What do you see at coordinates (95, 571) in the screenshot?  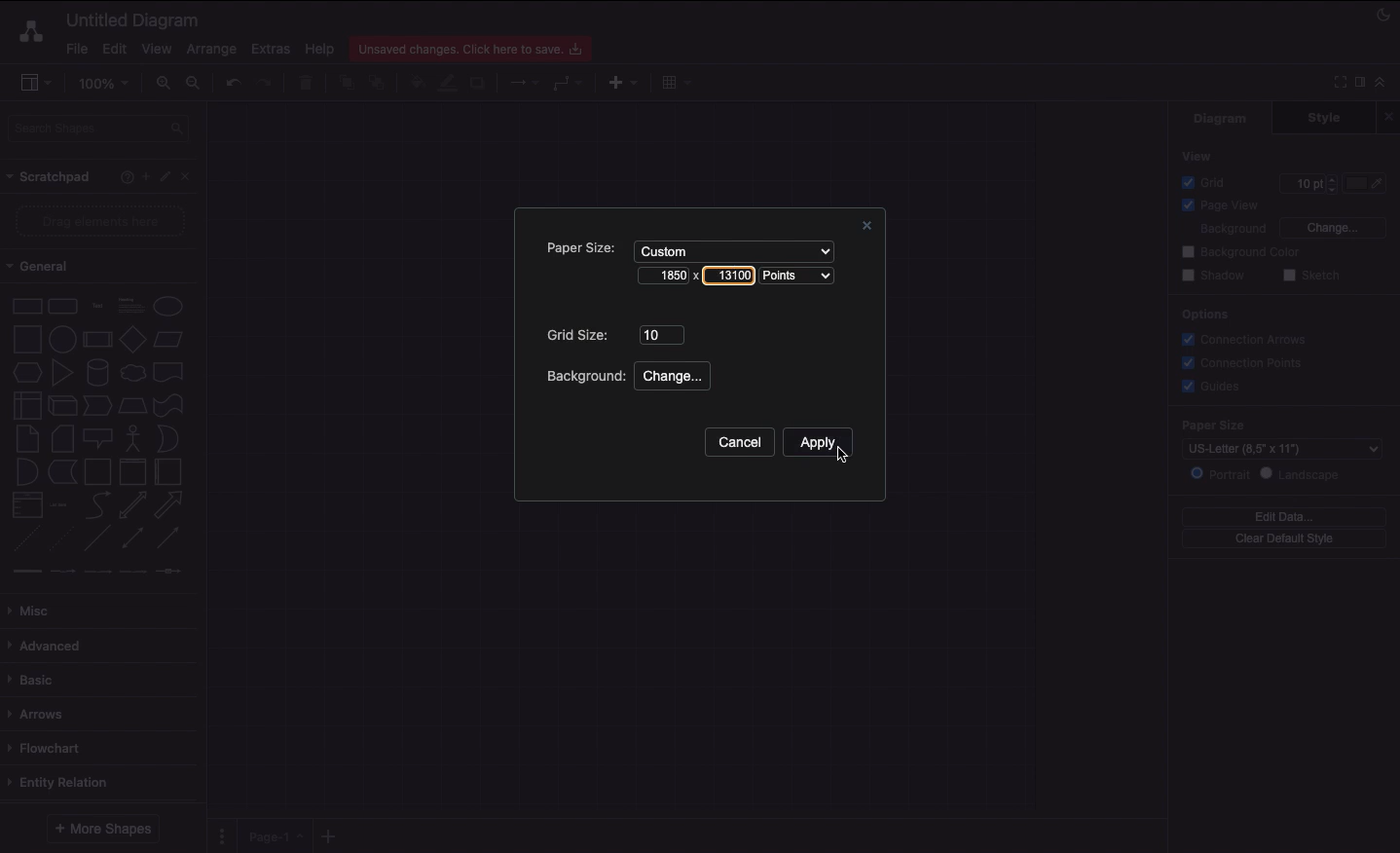 I see `connector 3` at bounding box center [95, 571].